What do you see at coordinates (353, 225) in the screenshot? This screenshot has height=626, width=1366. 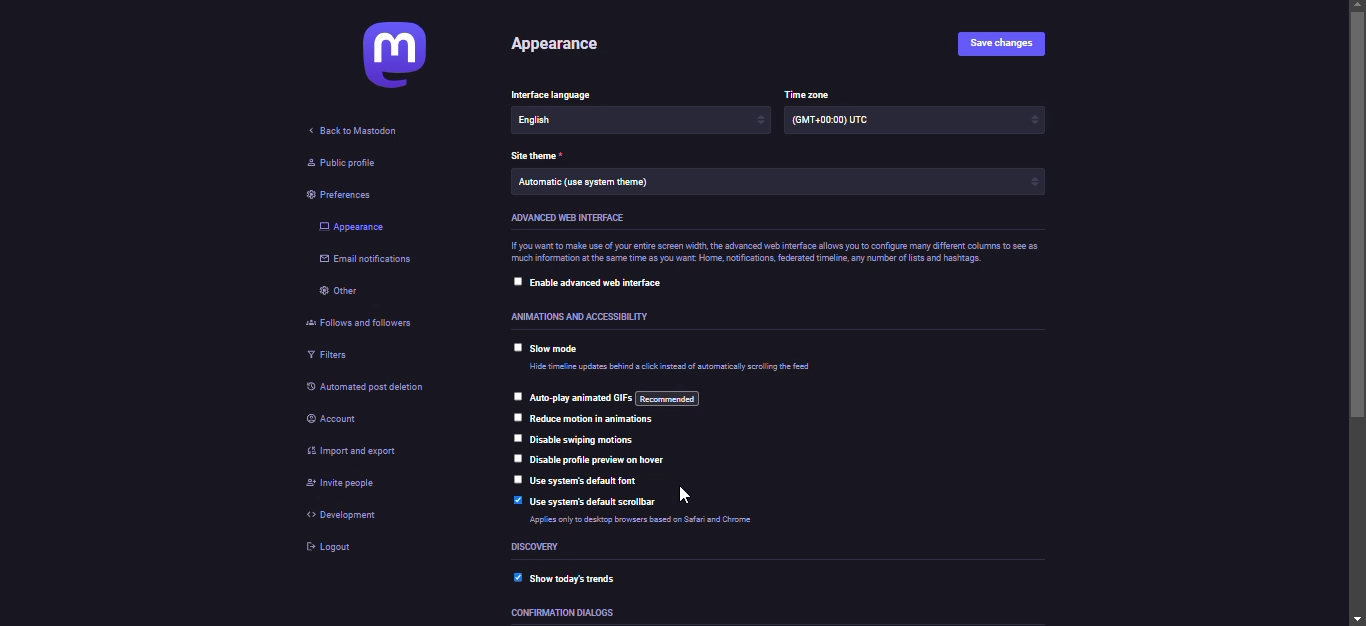 I see `appearance` at bounding box center [353, 225].